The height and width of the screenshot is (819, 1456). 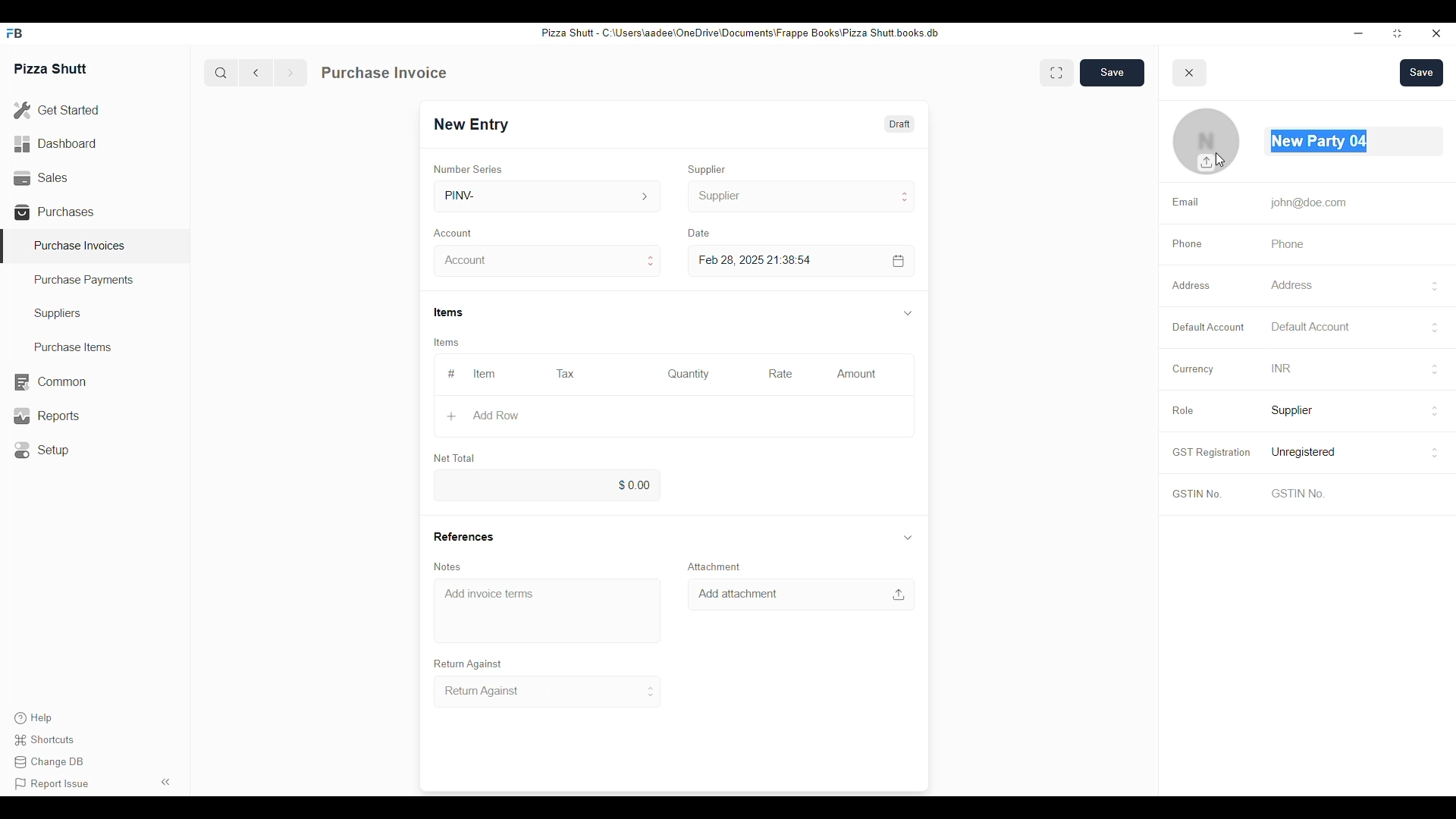 I want to click on 0.00, so click(x=544, y=486).